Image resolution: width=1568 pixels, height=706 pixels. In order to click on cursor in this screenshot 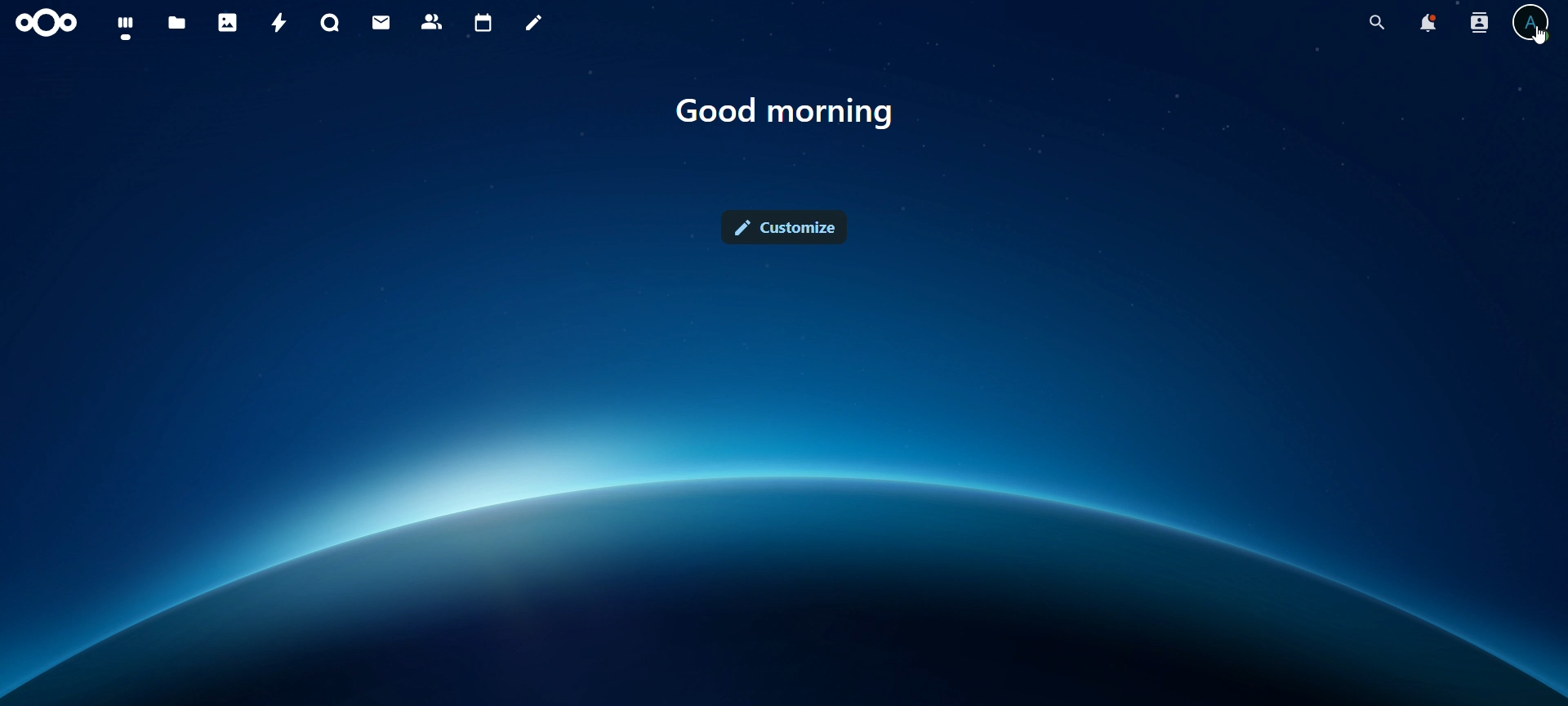, I will do `click(1538, 38)`.